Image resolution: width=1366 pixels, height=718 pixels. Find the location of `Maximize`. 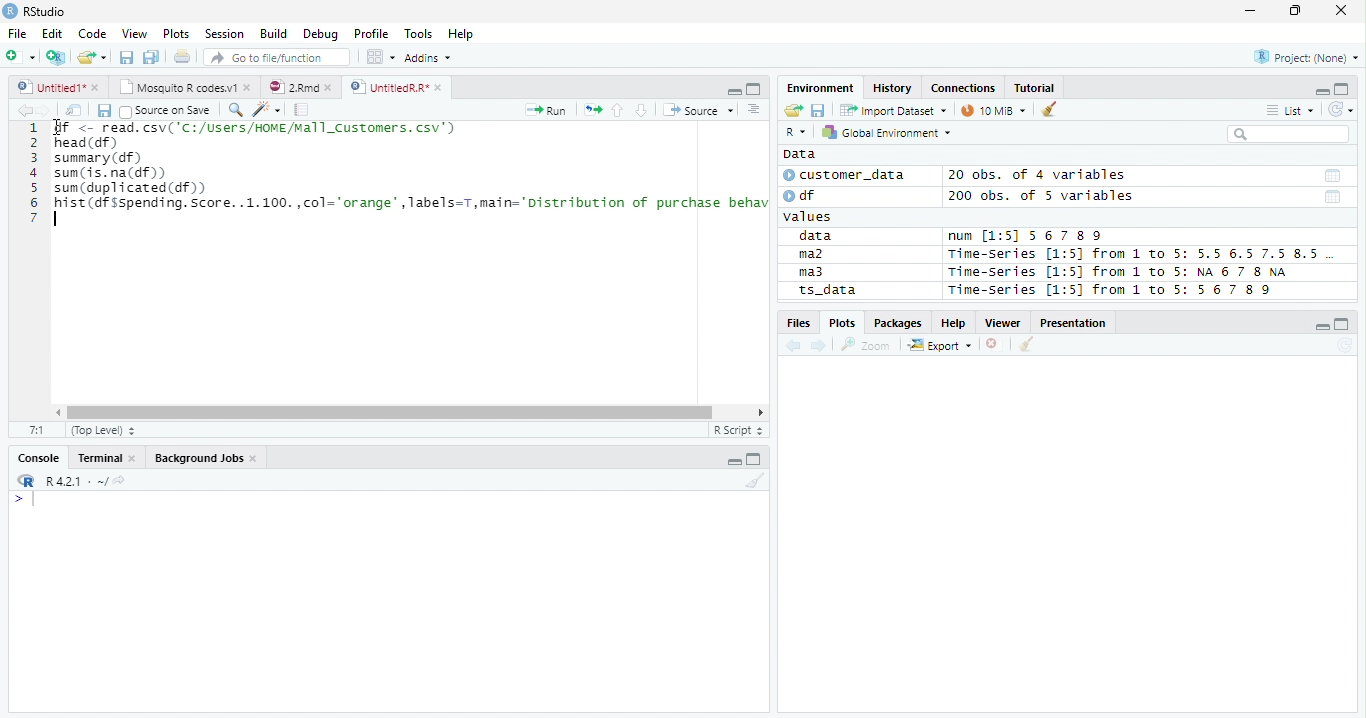

Maximize is located at coordinates (756, 460).